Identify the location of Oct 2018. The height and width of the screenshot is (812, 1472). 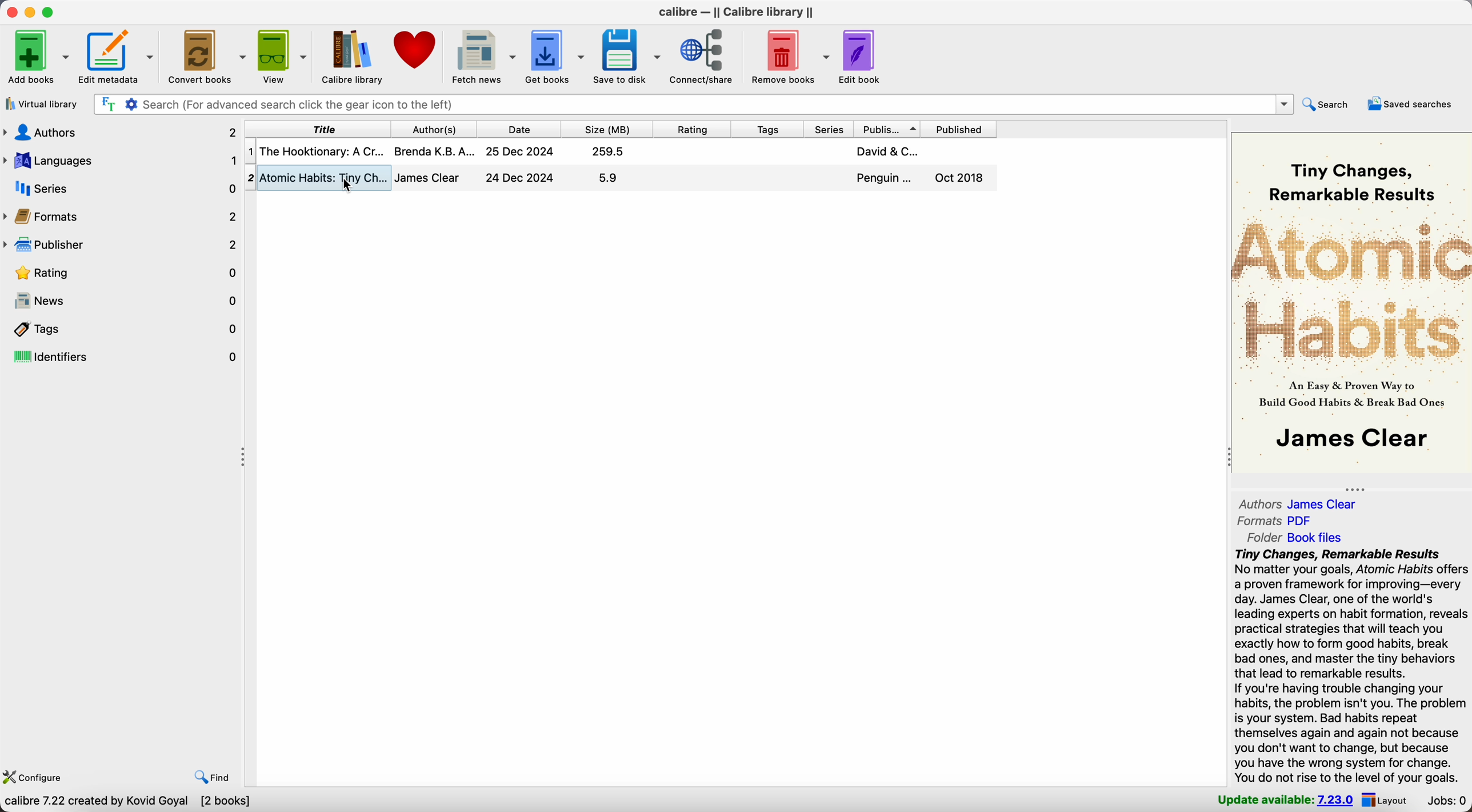
(961, 177).